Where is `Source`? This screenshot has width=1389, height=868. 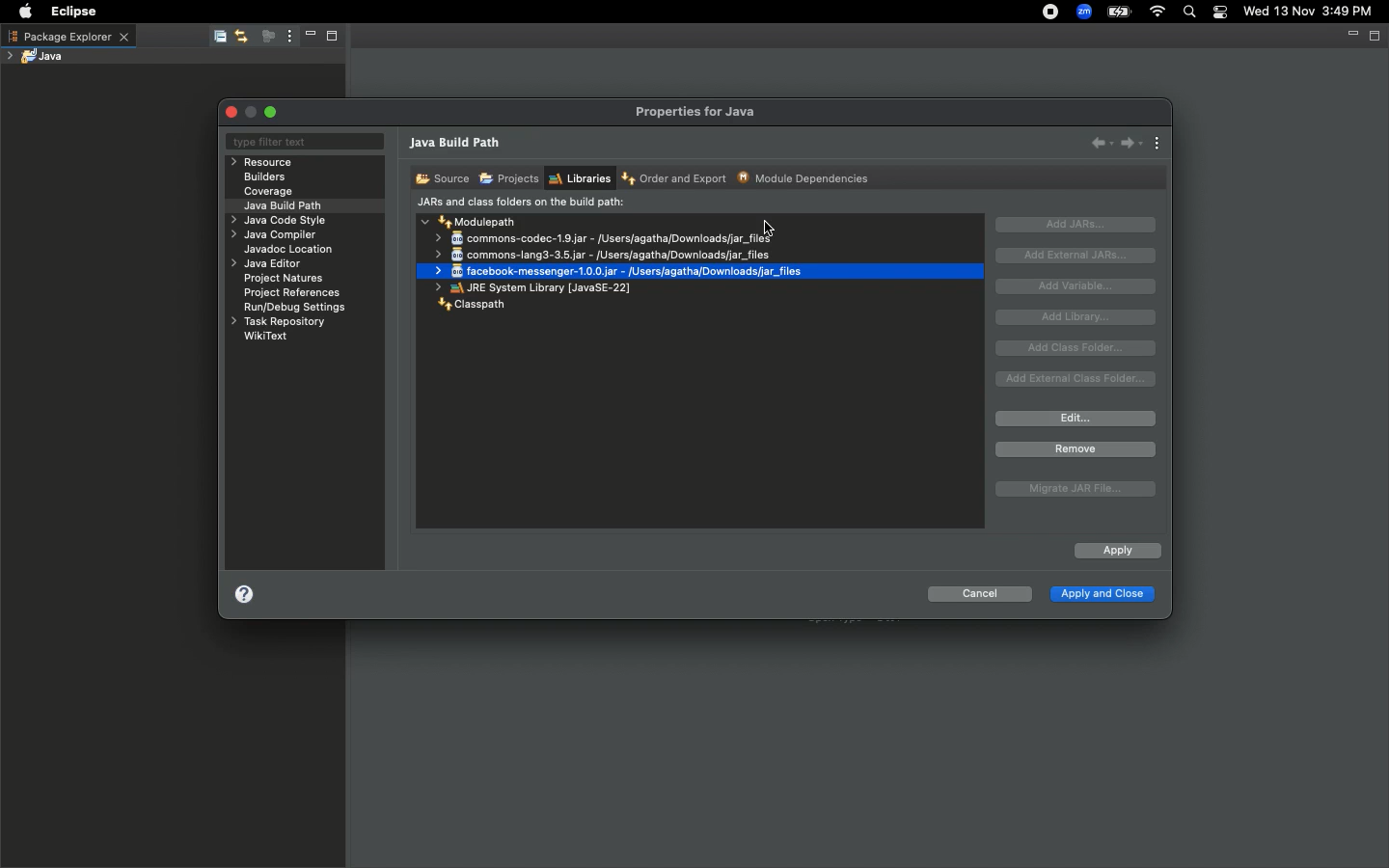
Source is located at coordinates (440, 177).